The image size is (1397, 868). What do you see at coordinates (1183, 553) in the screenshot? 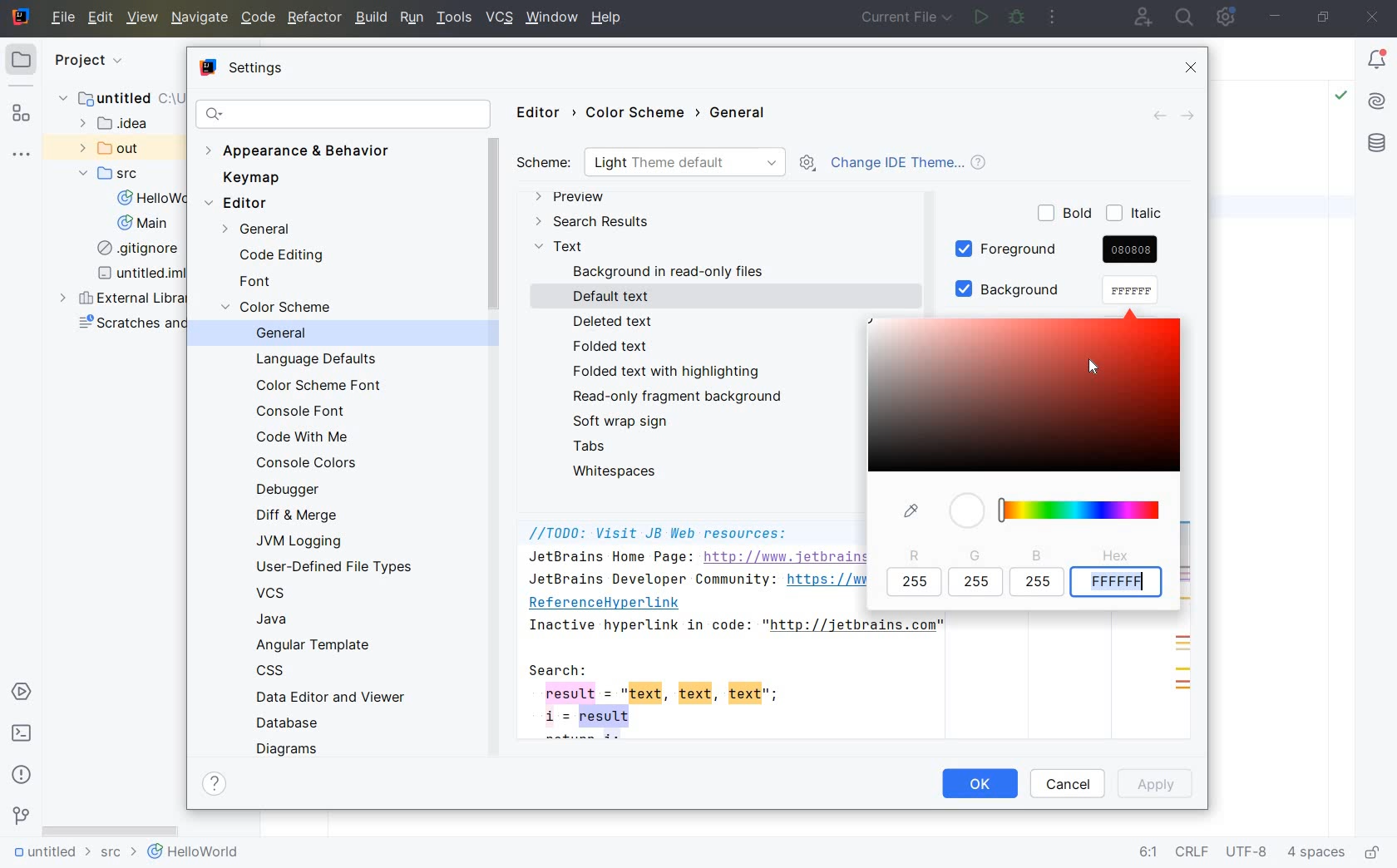
I see `SCROLLBAR` at bounding box center [1183, 553].